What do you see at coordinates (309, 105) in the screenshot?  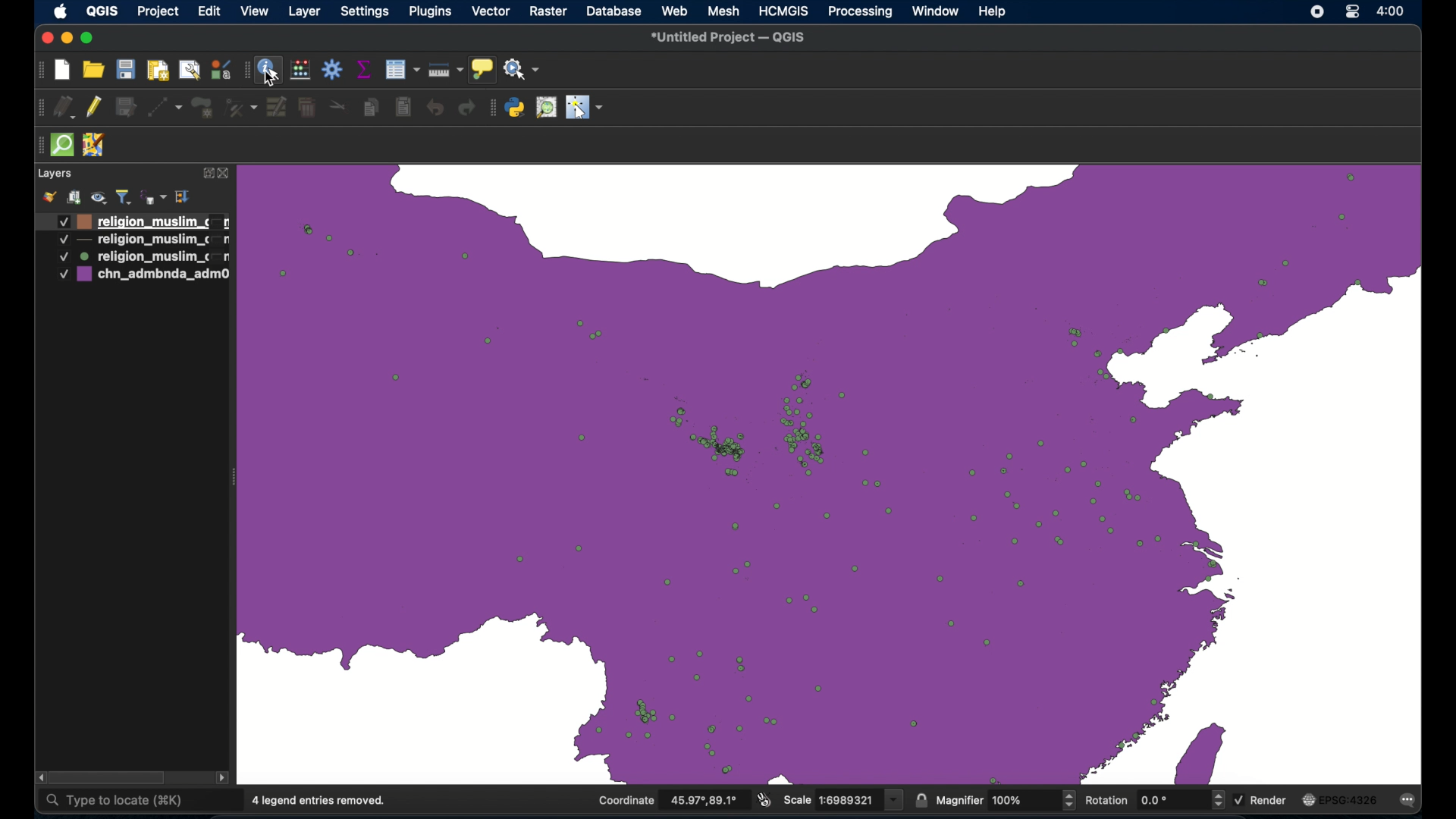 I see `delete selected` at bounding box center [309, 105].